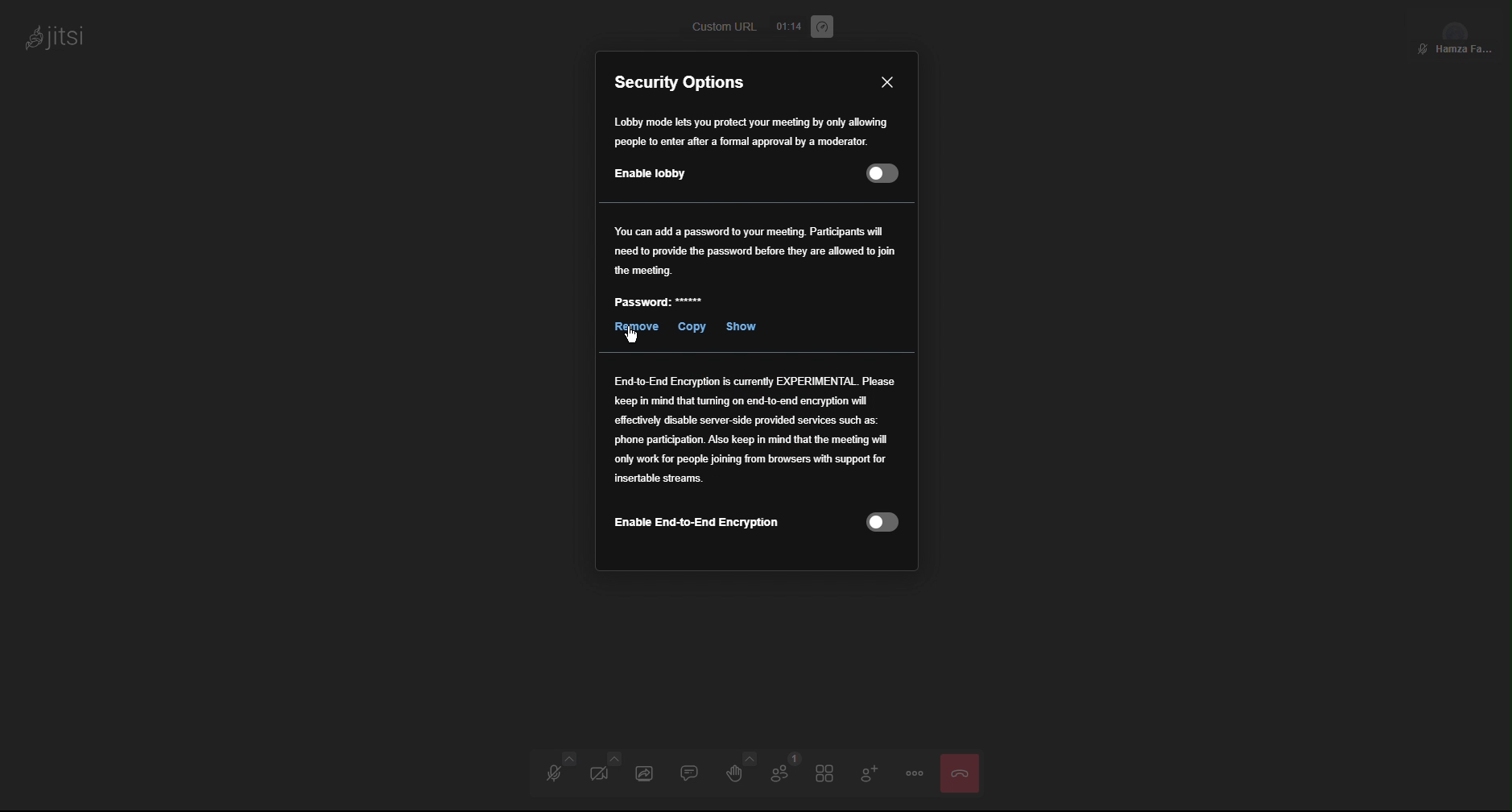 This screenshot has height=812, width=1512. I want to click on Raise Hand, so click(742, 773).